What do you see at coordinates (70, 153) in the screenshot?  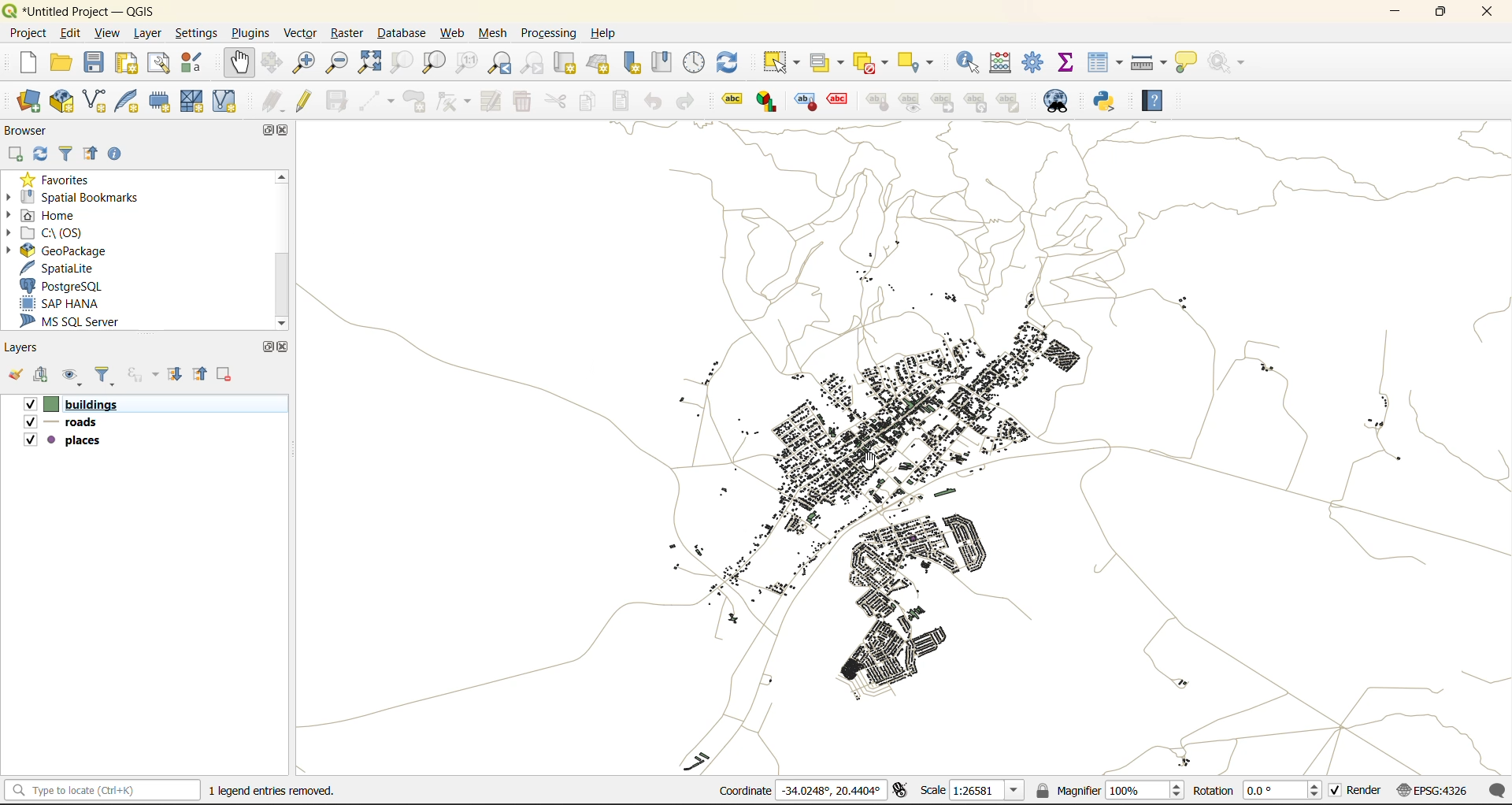 I see `filter` at bounding box center [70, 153].